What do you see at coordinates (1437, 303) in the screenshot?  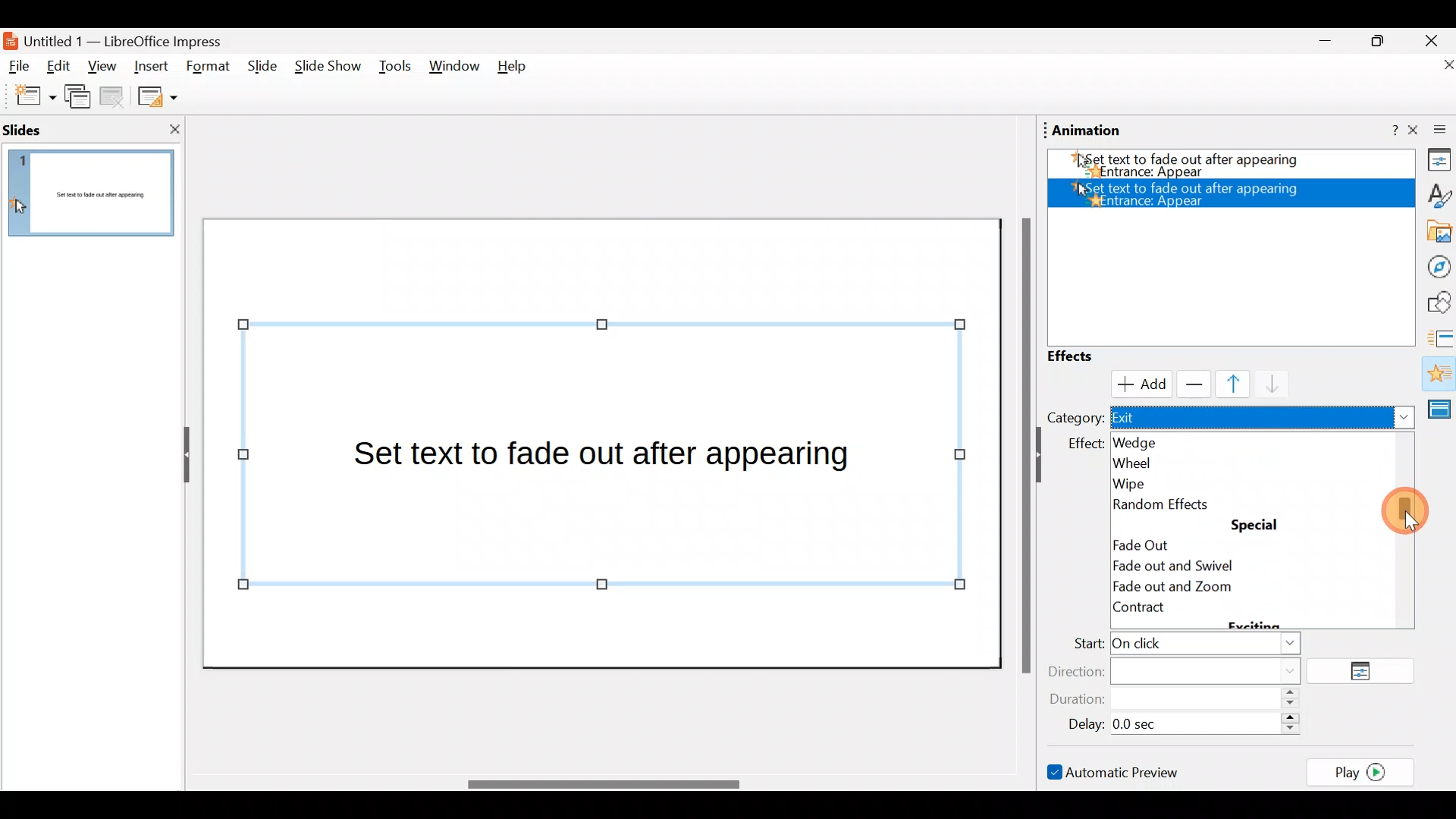 I see `Shapes` at bounding box center [1437, 303].